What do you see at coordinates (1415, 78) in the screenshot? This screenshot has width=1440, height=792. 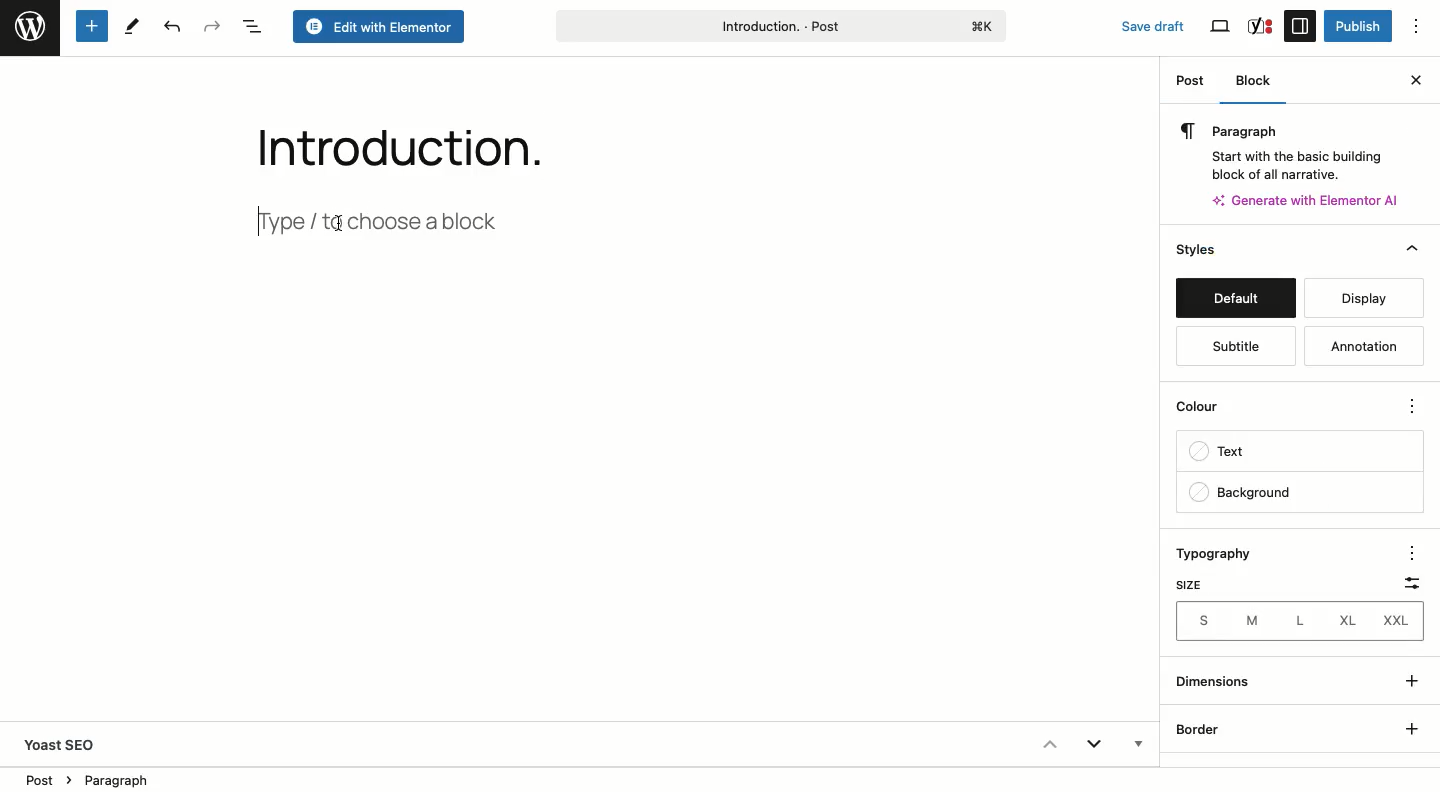 I see `Close` at bounding box center [1415, 78].